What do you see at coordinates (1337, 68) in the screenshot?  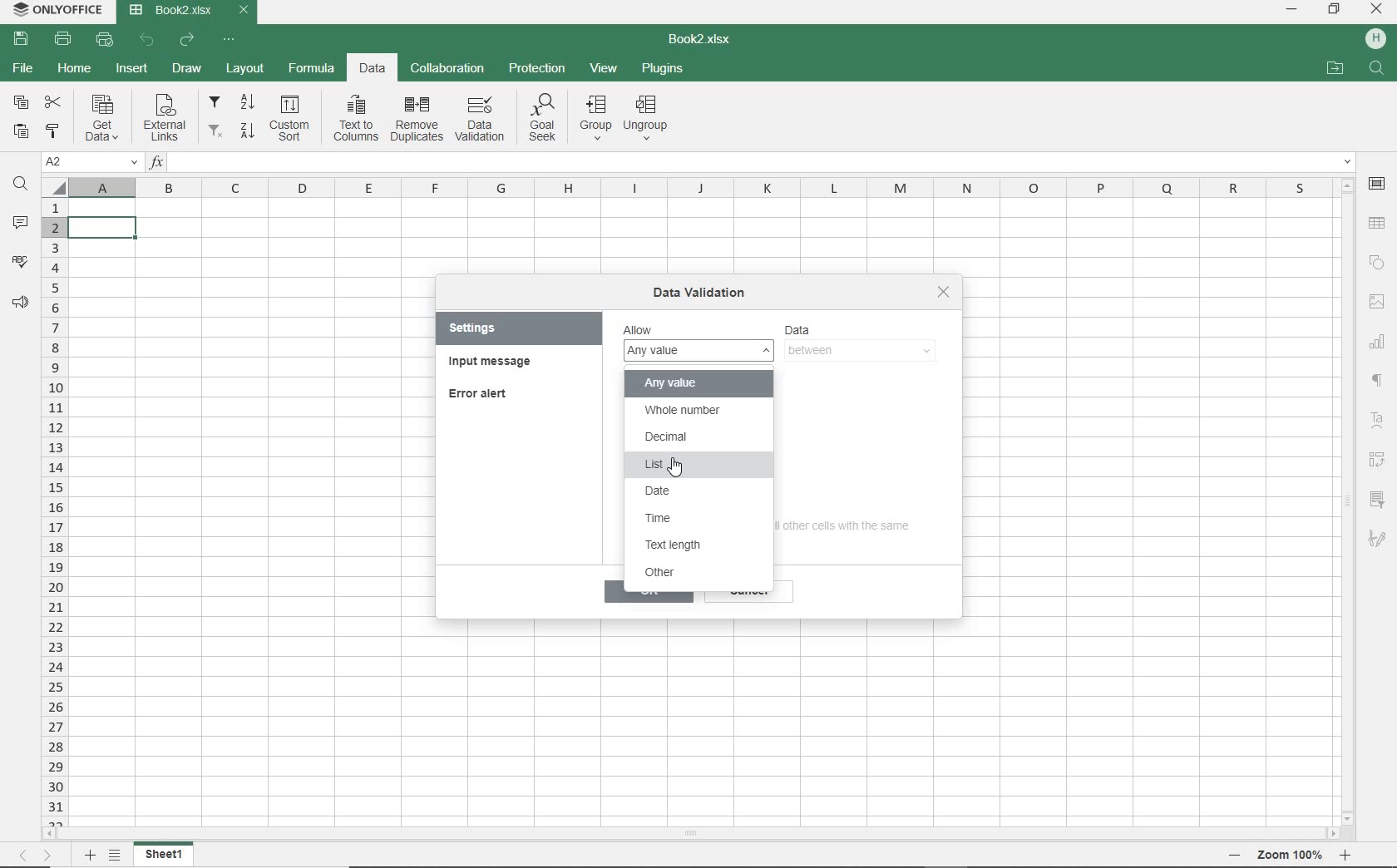 I see `OPEN FILE LOCATION` at bounding box center [1337, 68].